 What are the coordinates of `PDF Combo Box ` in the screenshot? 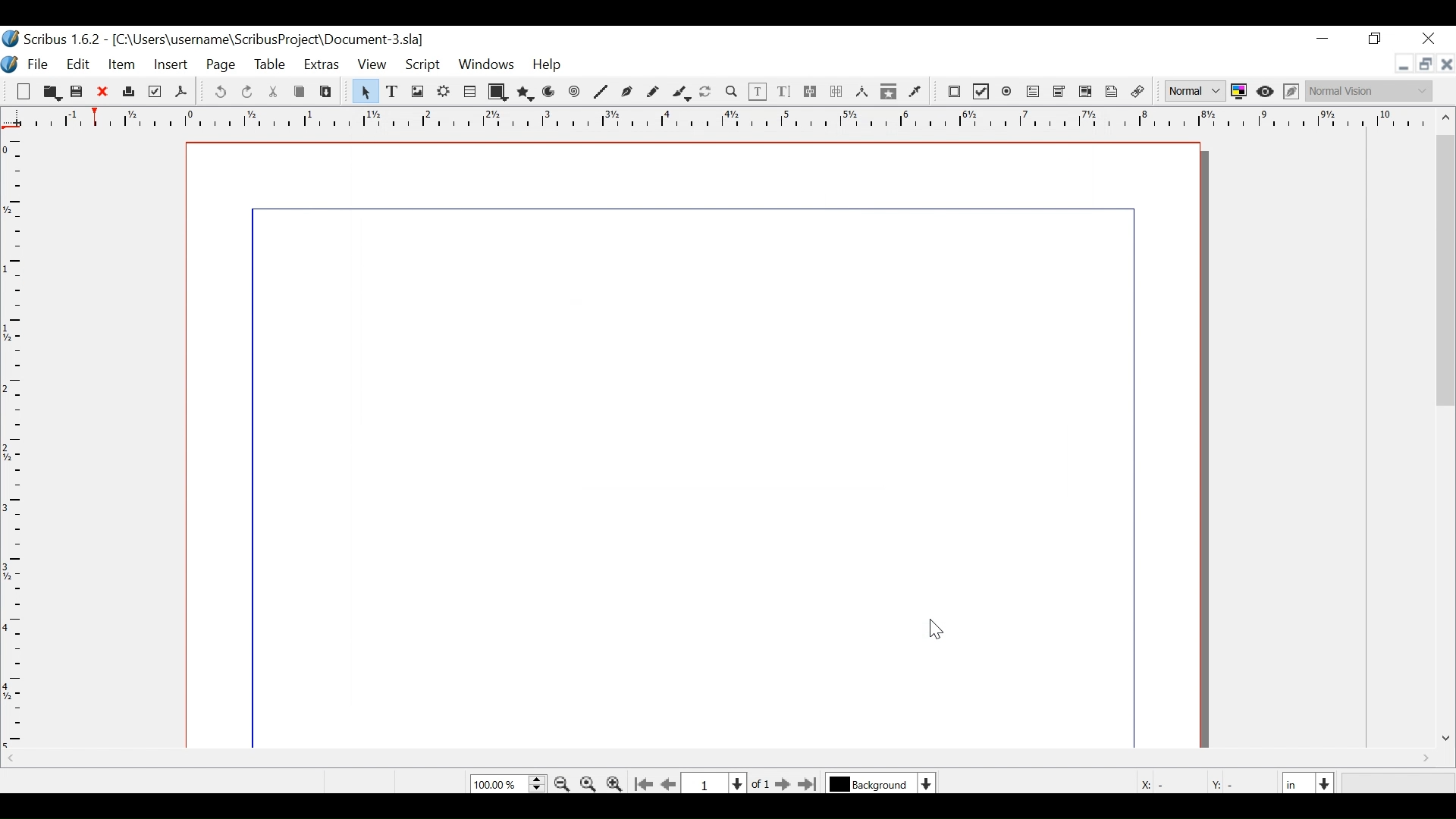 It's located at (1061, 93).